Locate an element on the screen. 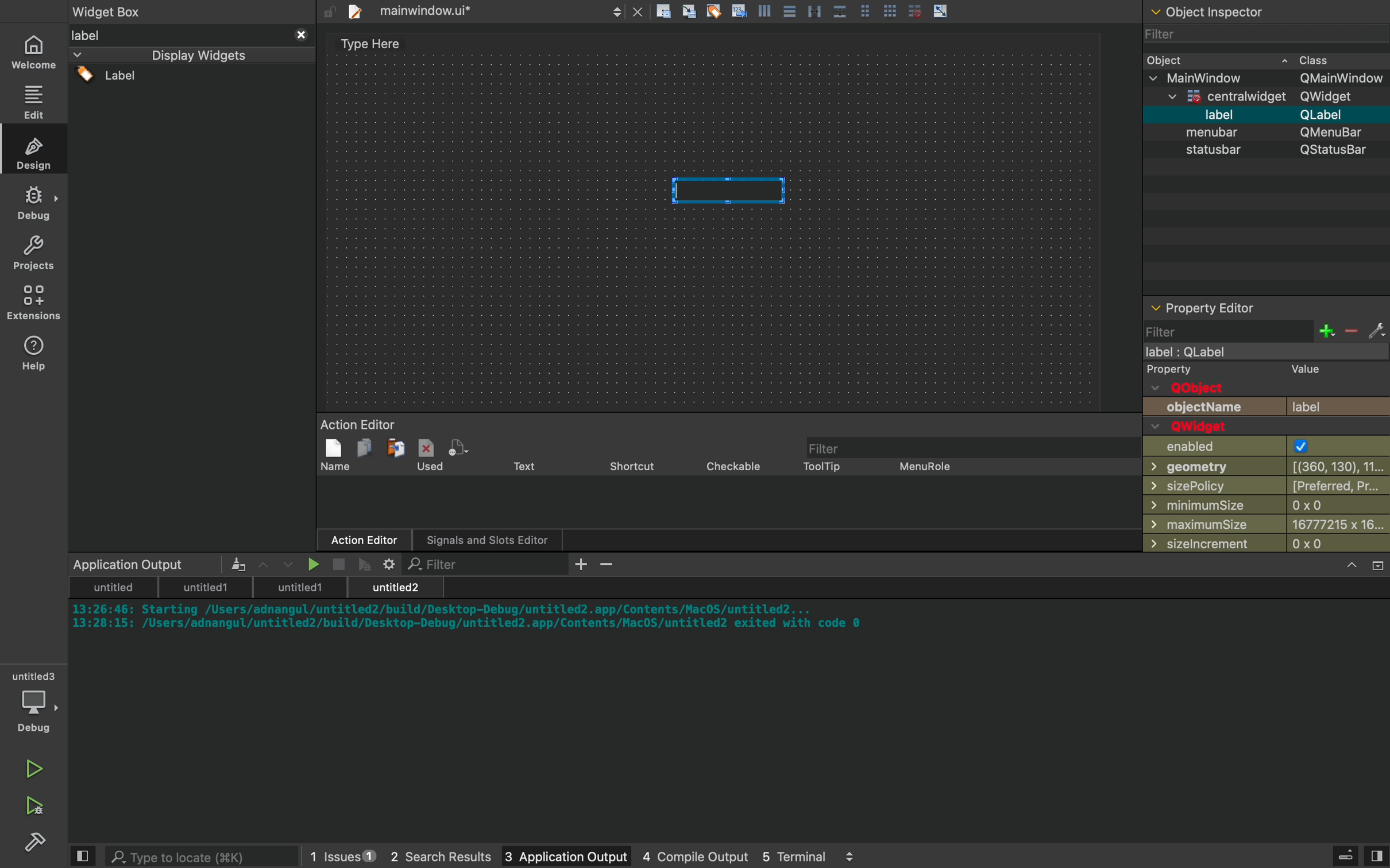   is located at coordinates (1264, 115).